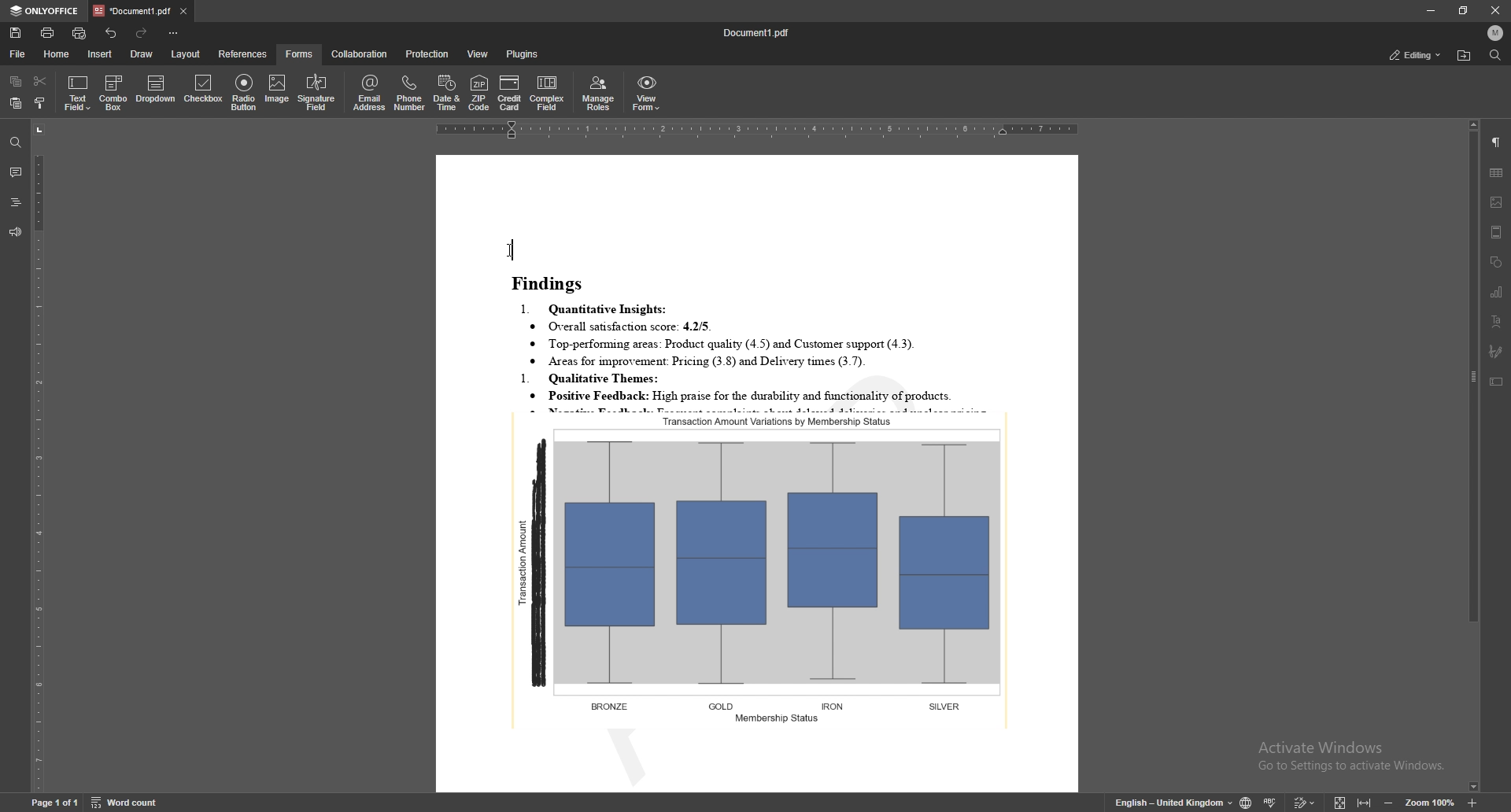 This screenshot has height=812, width=1511. Describe the element at coordinates (760, 32) in the screenshot. I see `file name` at that location.